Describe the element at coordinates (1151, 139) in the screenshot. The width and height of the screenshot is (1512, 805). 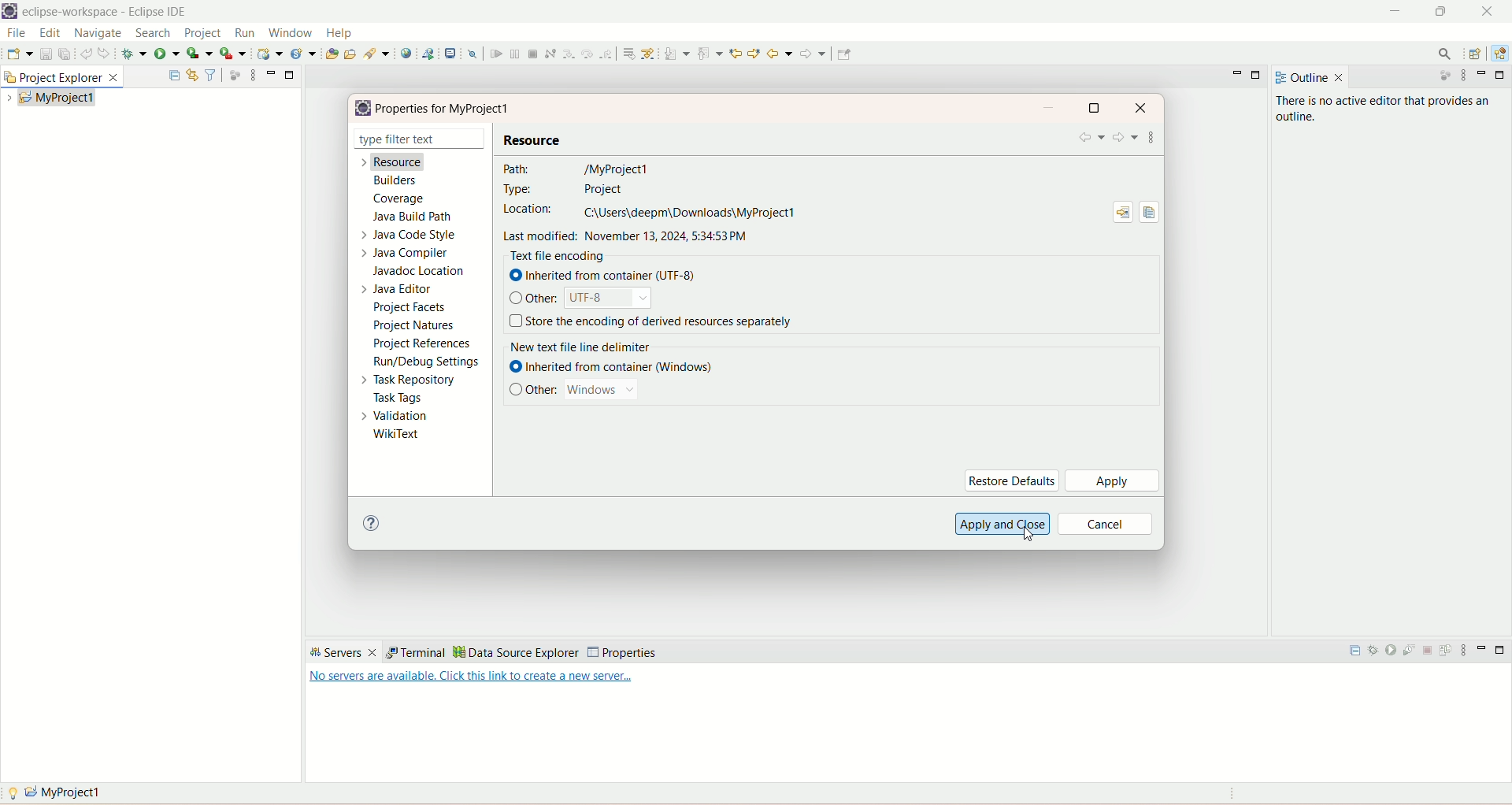
I see `view menu` at that location.